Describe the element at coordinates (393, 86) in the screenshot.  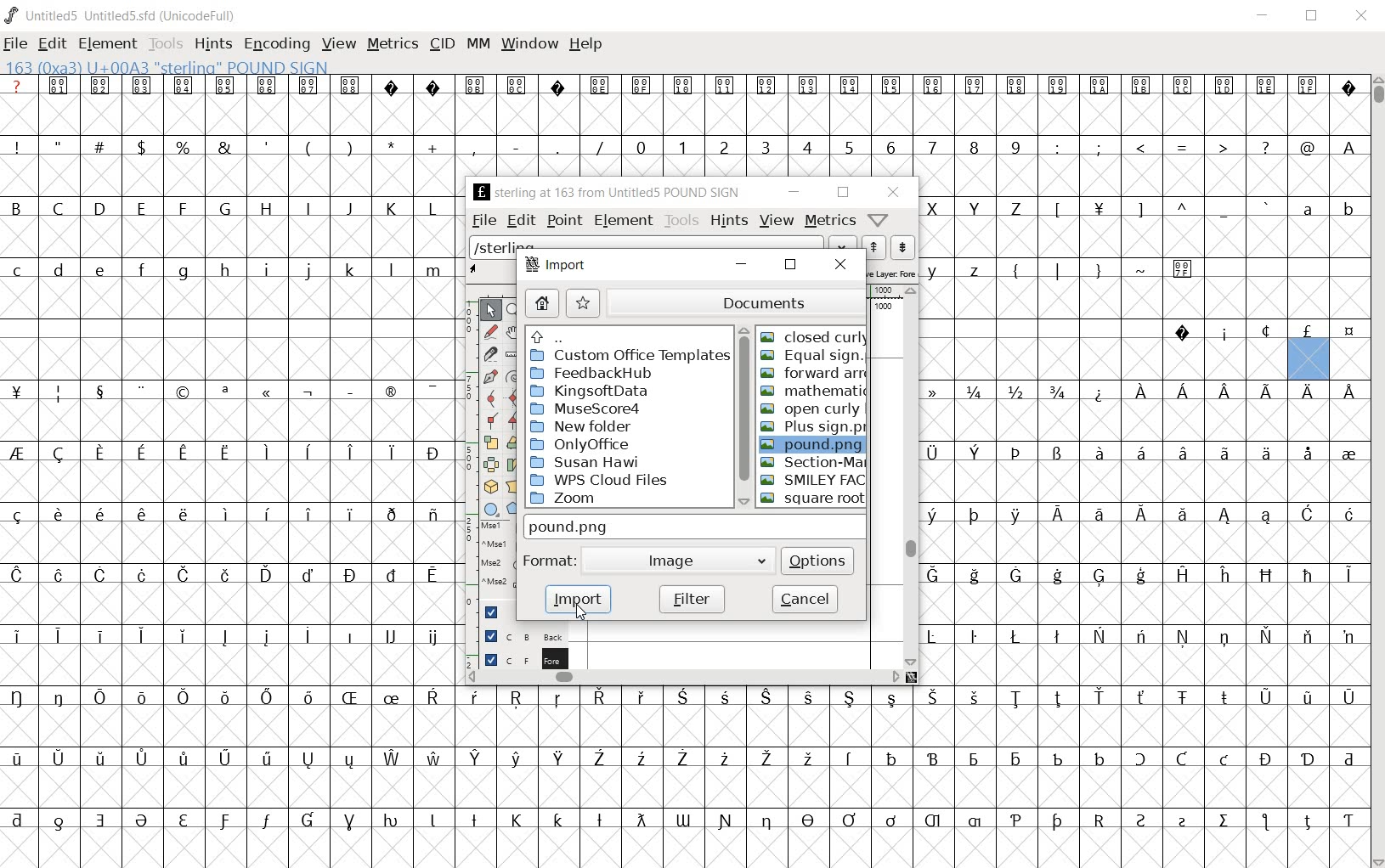
I see `Symbol` at that location.